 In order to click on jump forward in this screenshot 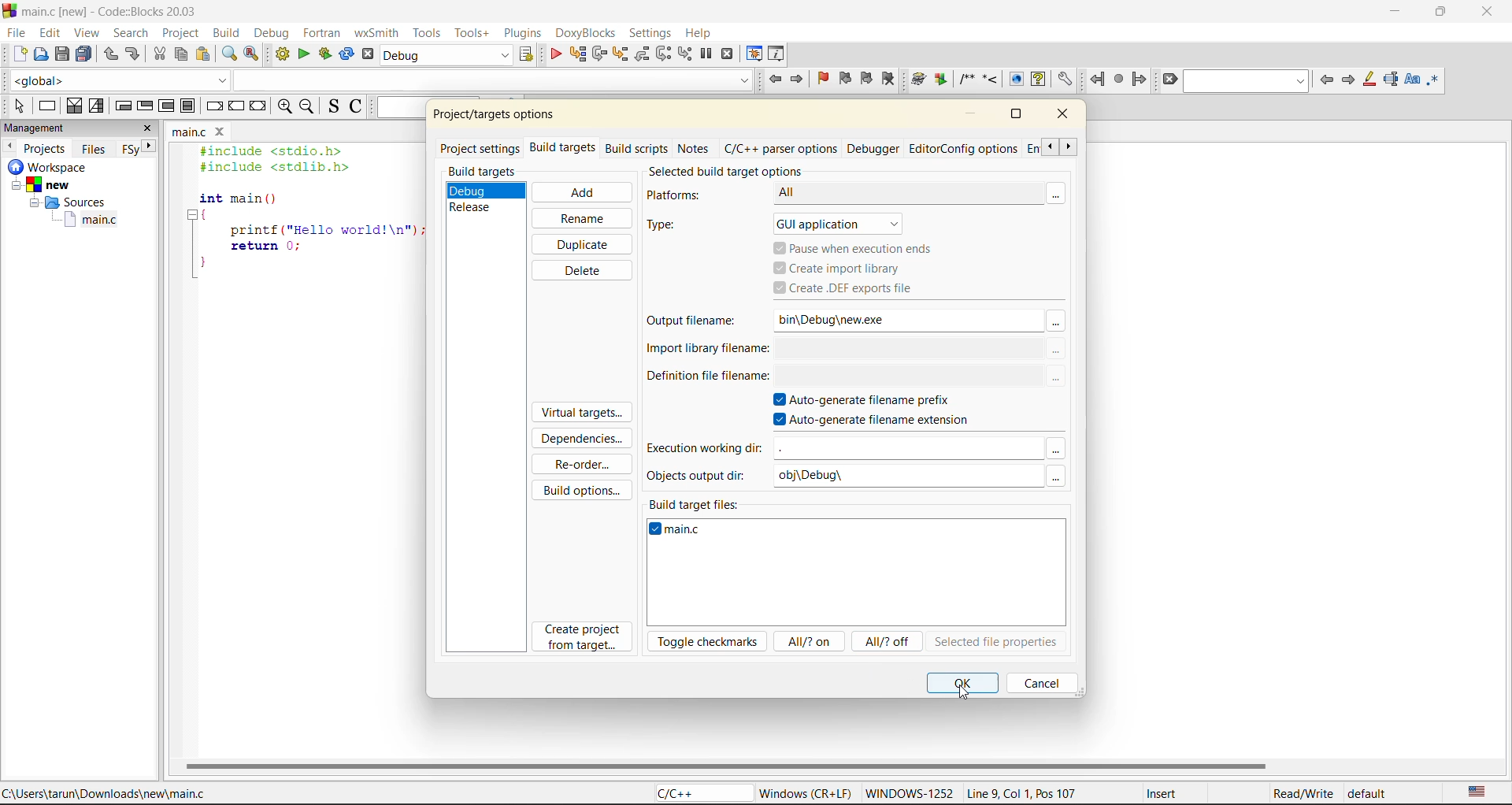, I will do `click(1140, 81)`.